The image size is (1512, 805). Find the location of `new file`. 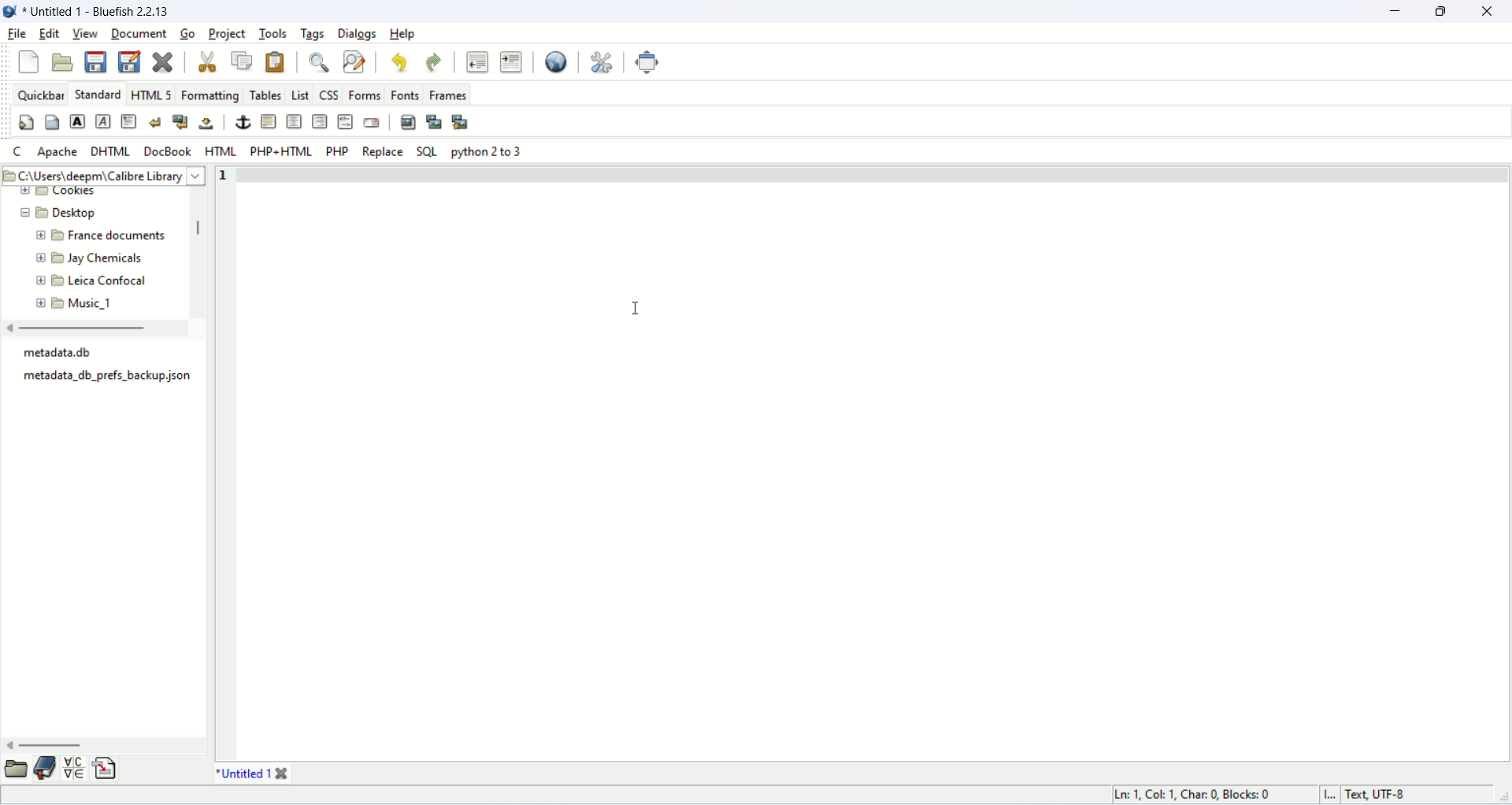

new file is located at coordinates (30, 63).